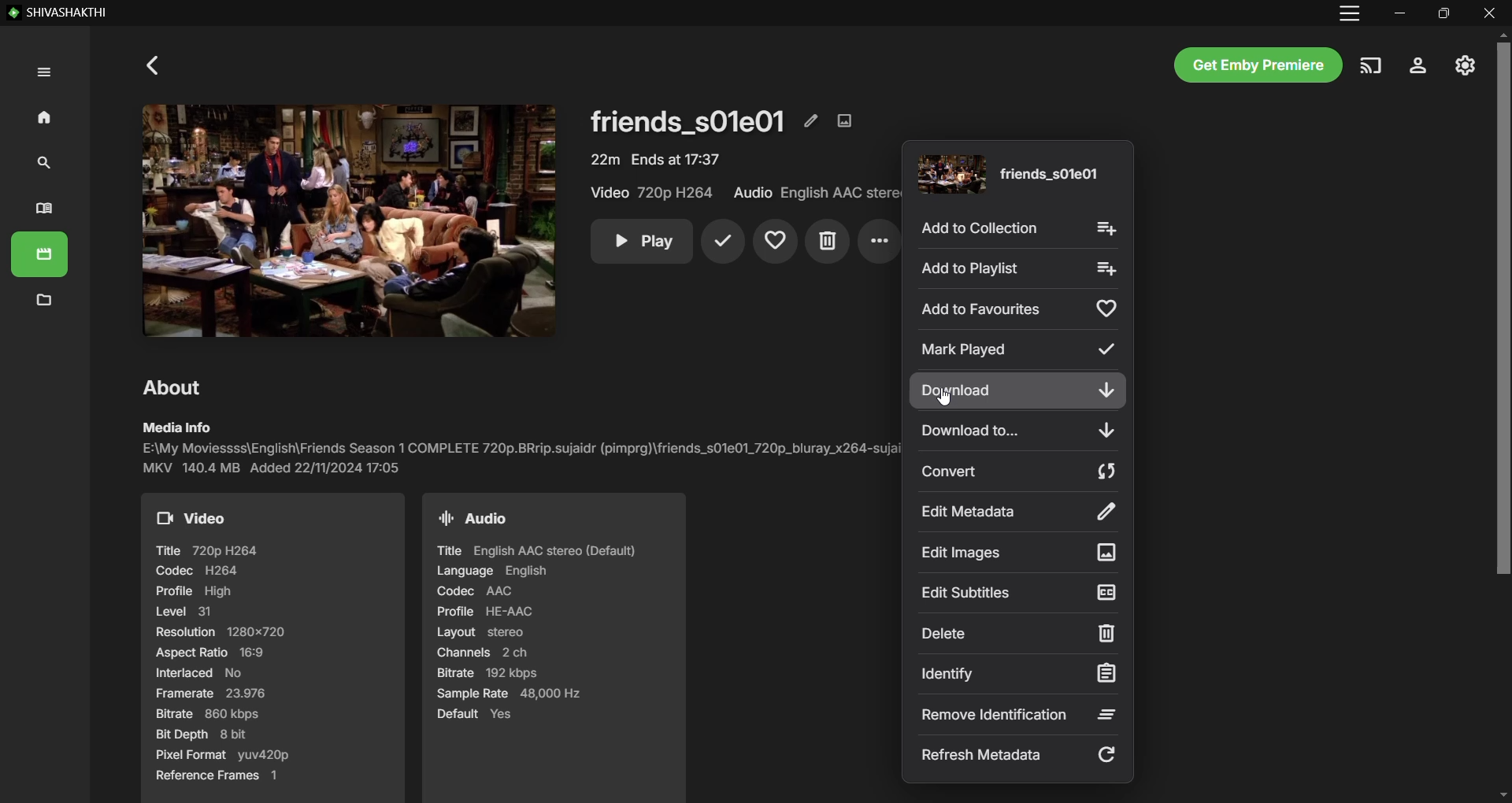 This screenshot has width=1512, height=803. What do you see at coordinates (1017, 228) in the screenshot?
I see `Add to Collection` at bounding box center [1017, 228].